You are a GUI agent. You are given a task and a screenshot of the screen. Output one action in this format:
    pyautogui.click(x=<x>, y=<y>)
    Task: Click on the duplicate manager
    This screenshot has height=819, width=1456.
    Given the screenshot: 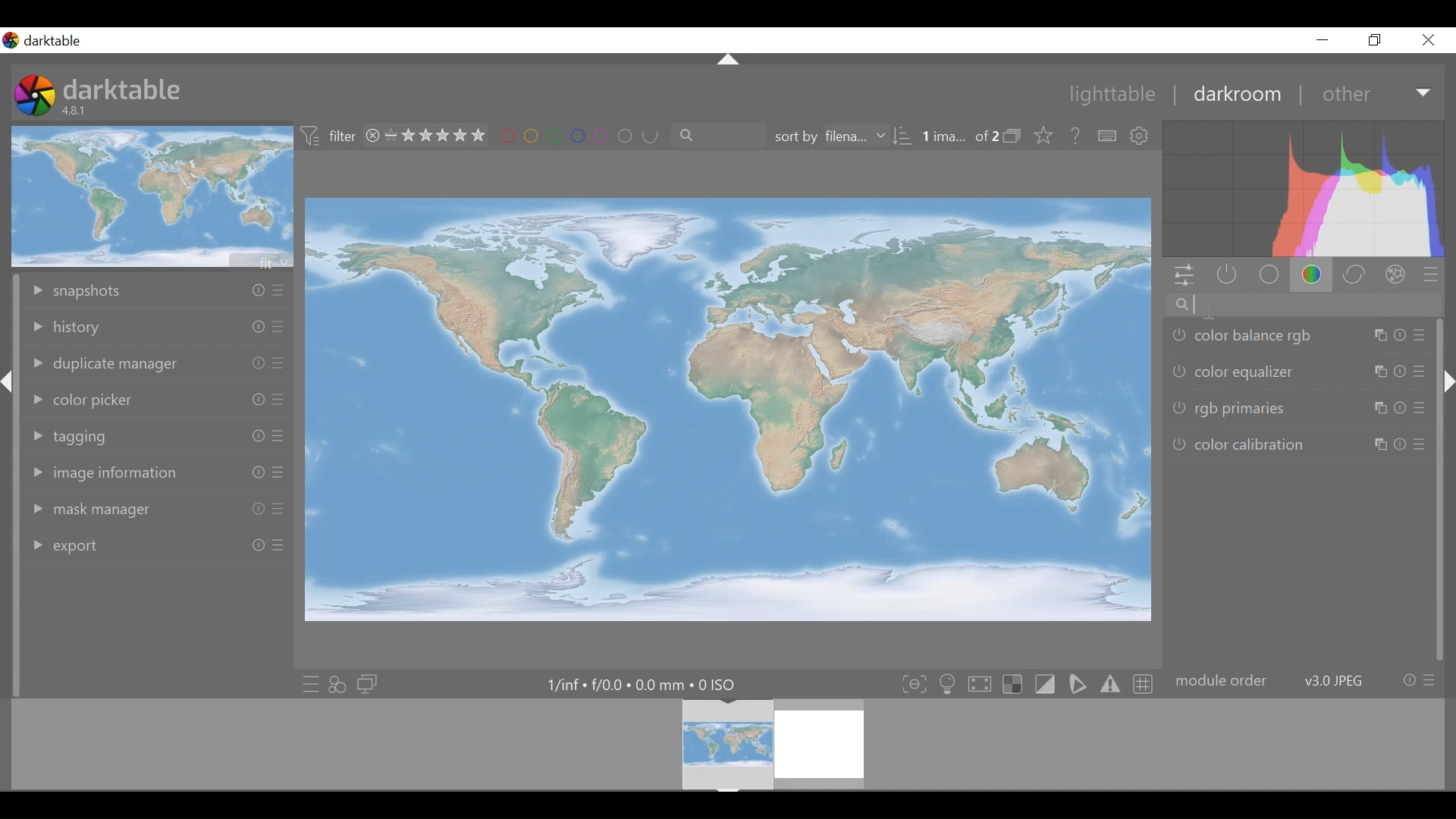 What is the action you would take?
    pyautogui.click(x=157, y=366)
    